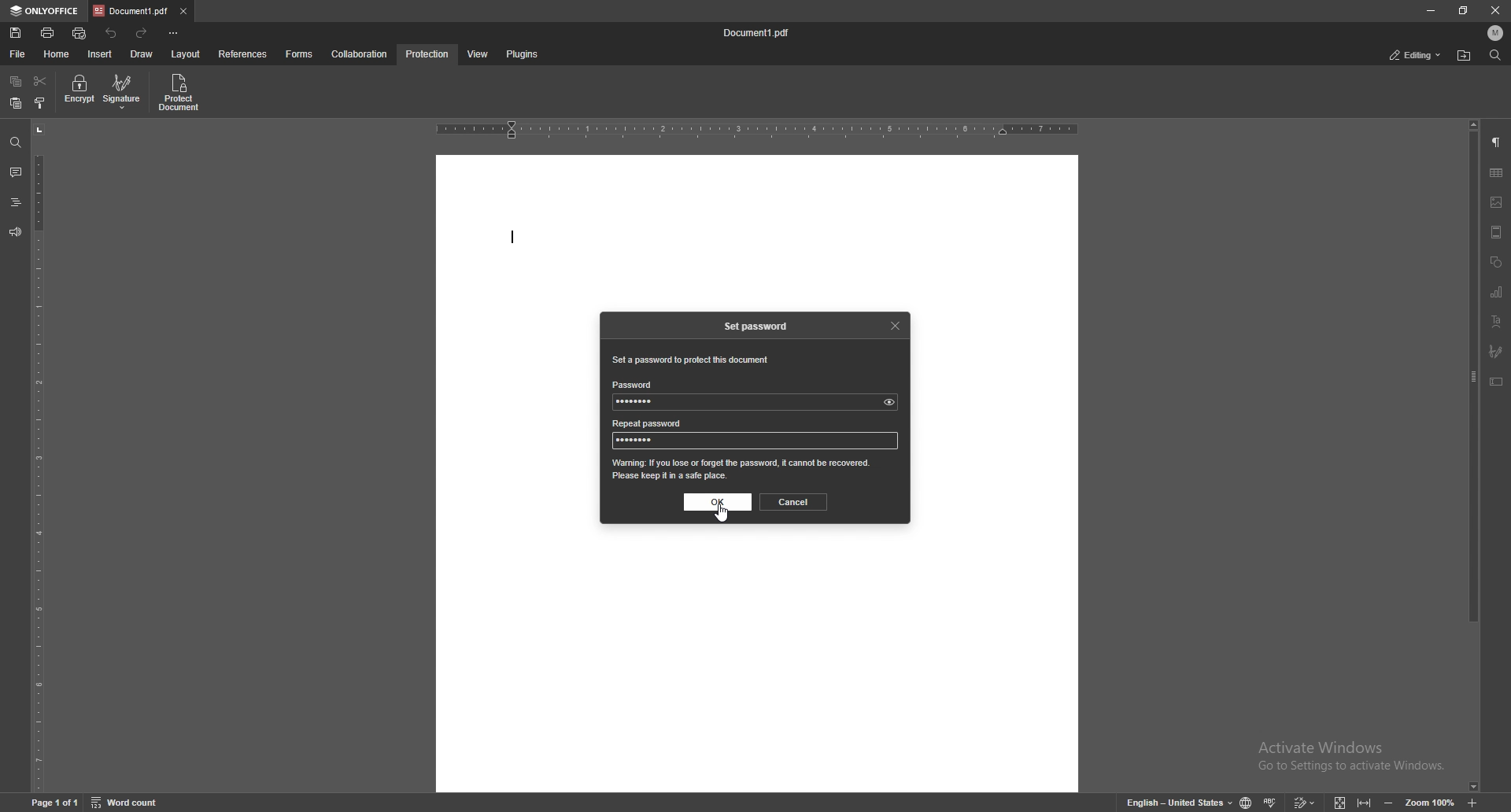  I want to click on zoom out, so click(1391, 801).